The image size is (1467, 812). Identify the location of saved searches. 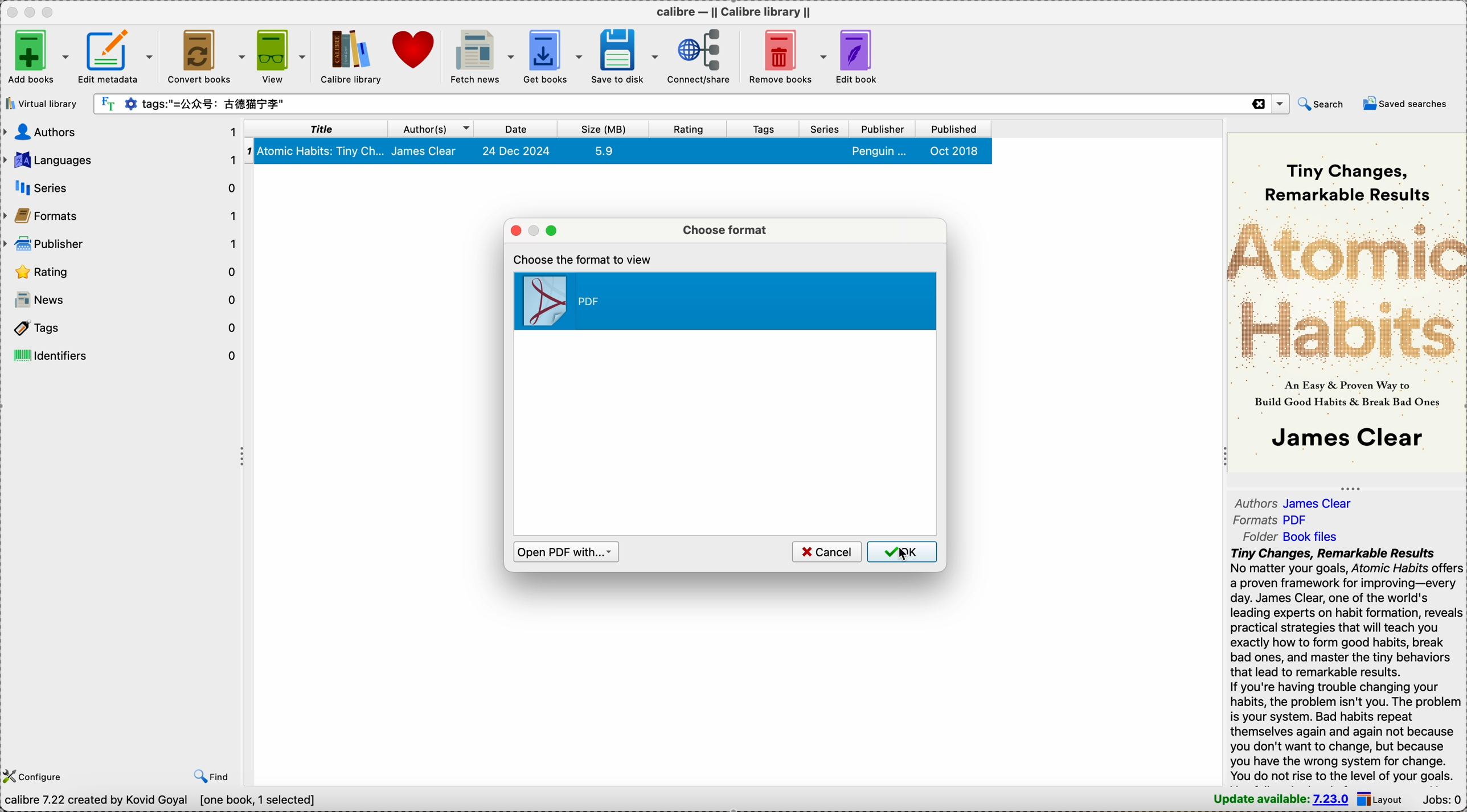
(1408, 102).